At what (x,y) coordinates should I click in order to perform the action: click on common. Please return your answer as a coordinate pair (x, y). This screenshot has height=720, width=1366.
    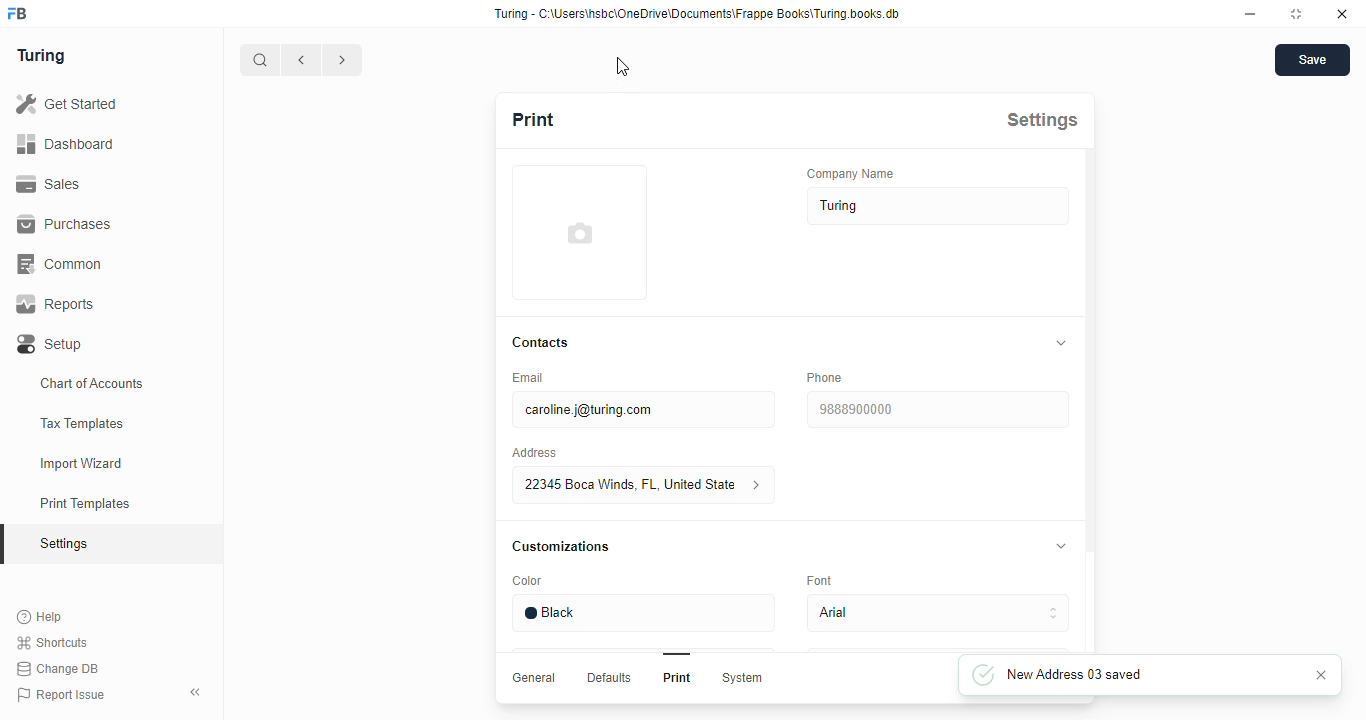
    Looking at the image, I should click on (62, 264).